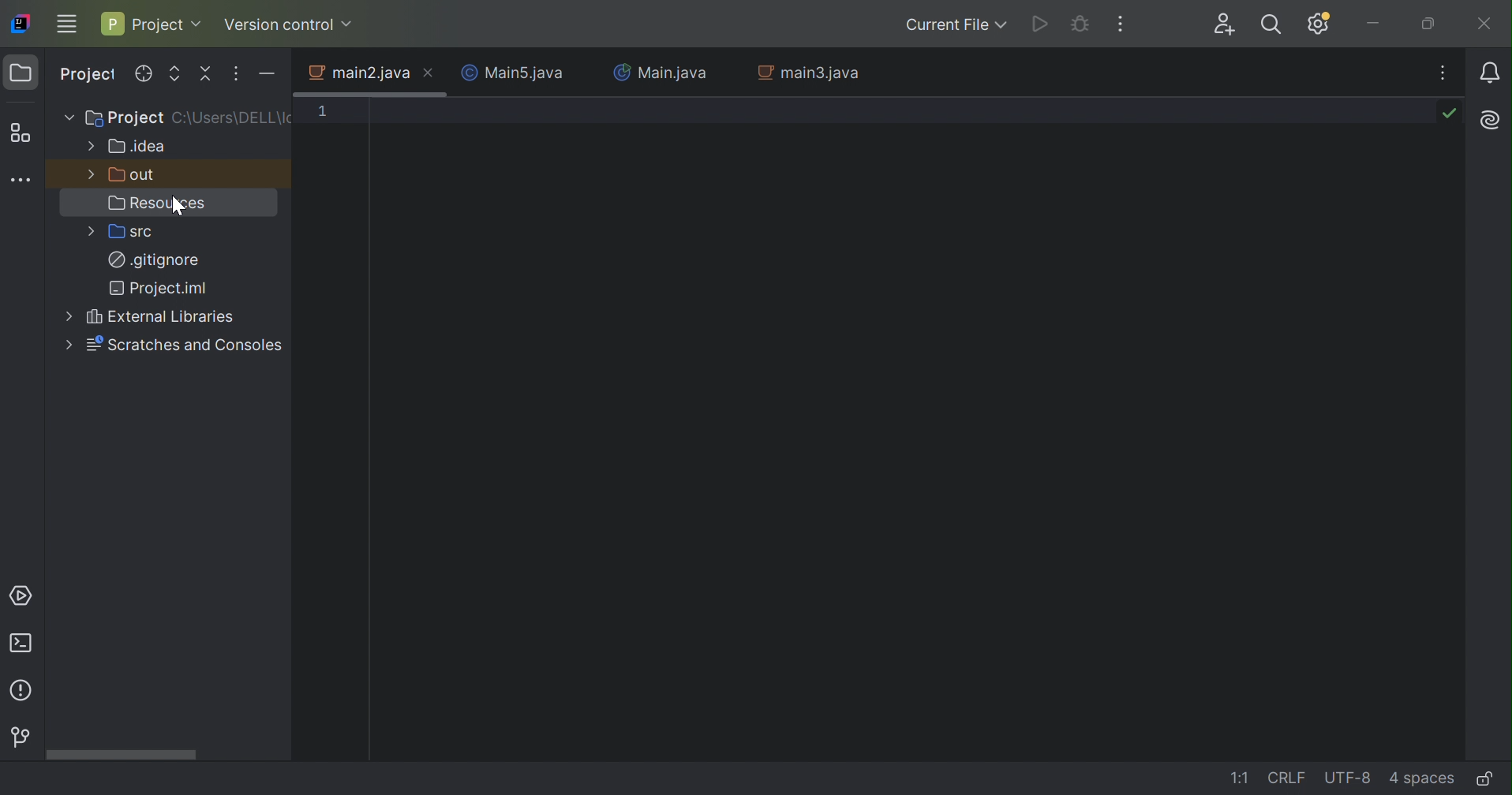  Describe the element at coordinates (511, 74) in the screenshot. I see `Main5.java` at that location.